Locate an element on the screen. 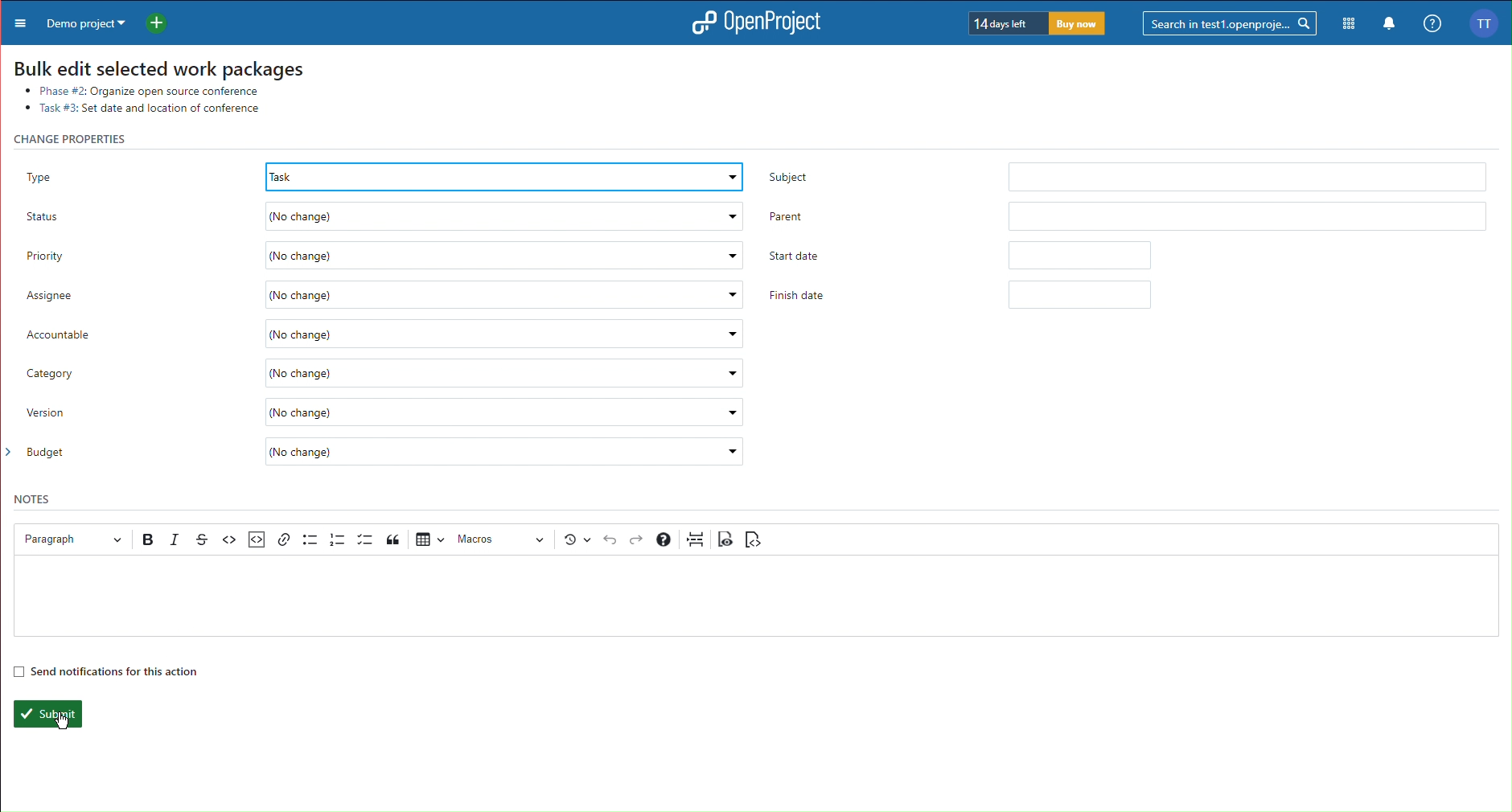  Subject is located at coordinates (1124, 174).